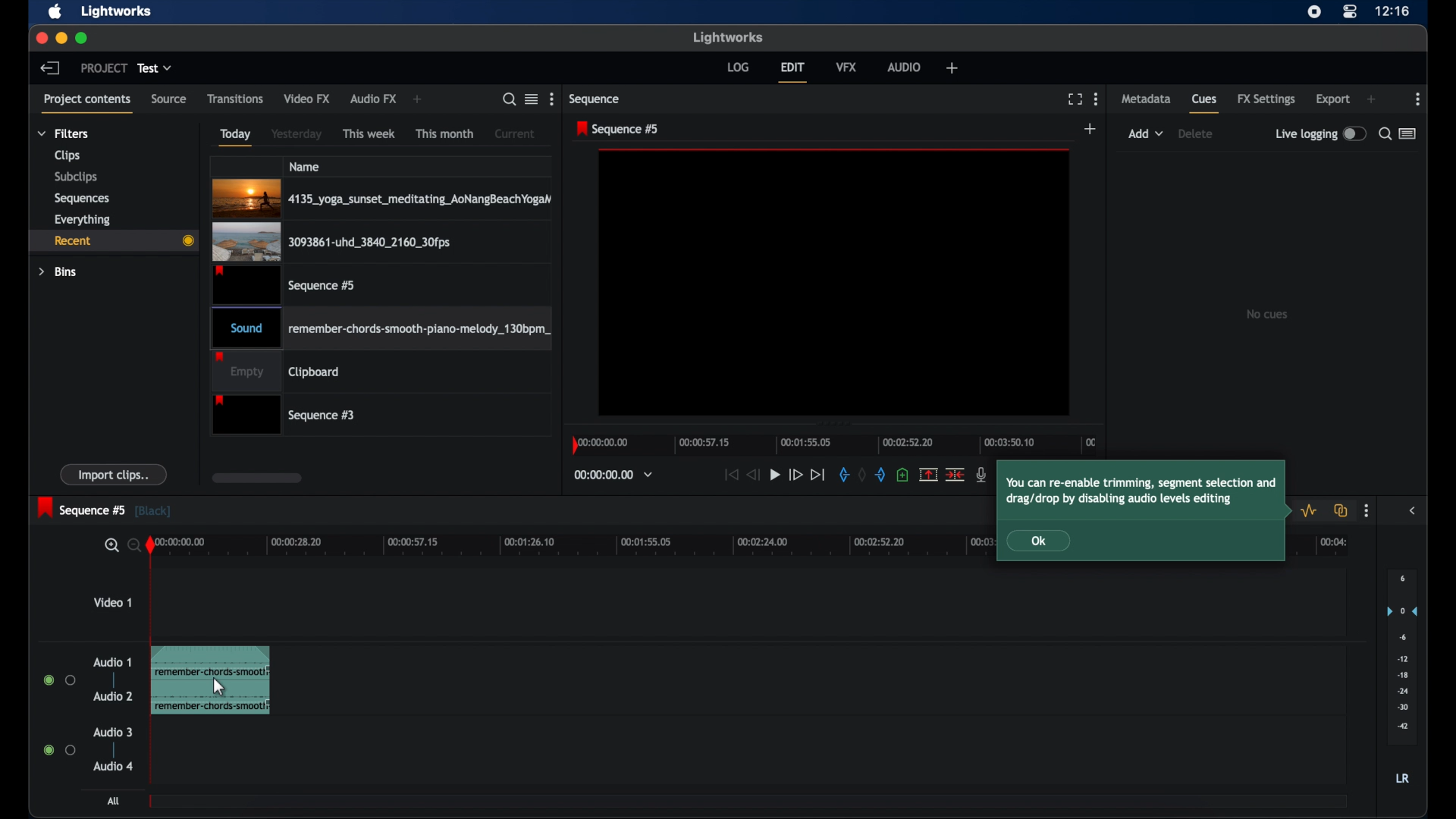  I want to click on fx settings, so click(1266, 99).